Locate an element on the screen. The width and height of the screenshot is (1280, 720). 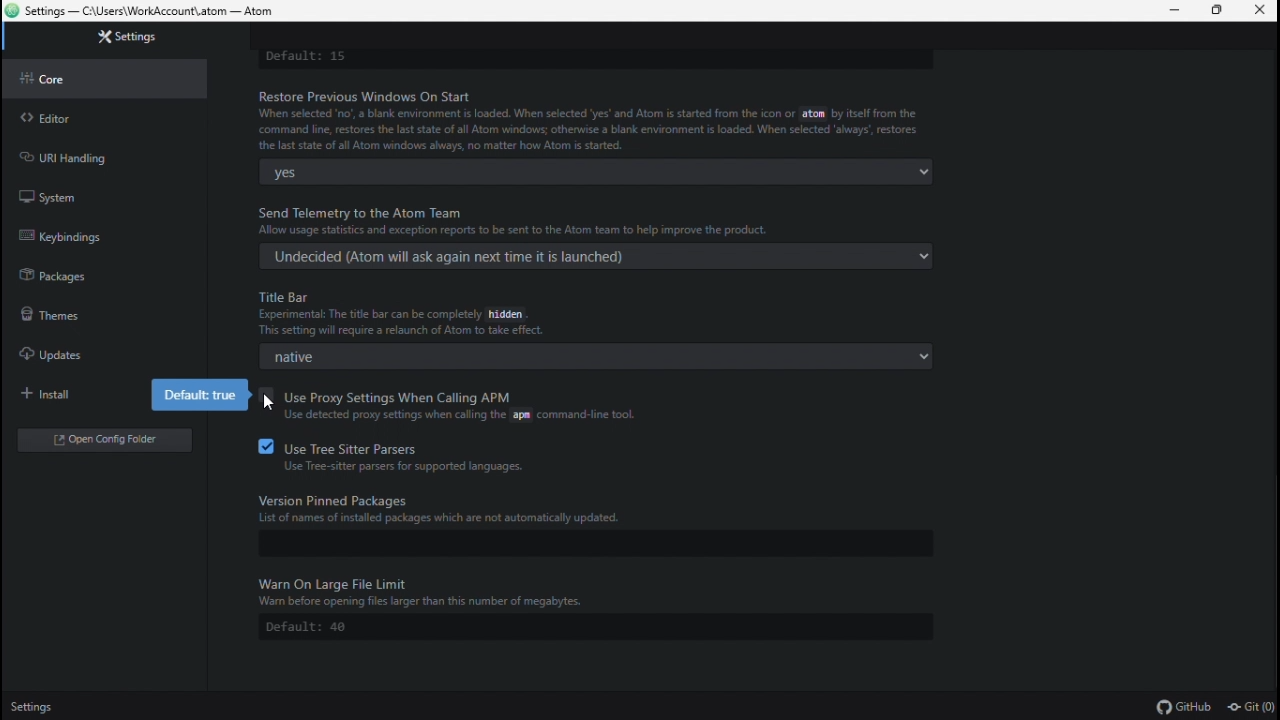
Cursor is located at coordinates (271, 405).